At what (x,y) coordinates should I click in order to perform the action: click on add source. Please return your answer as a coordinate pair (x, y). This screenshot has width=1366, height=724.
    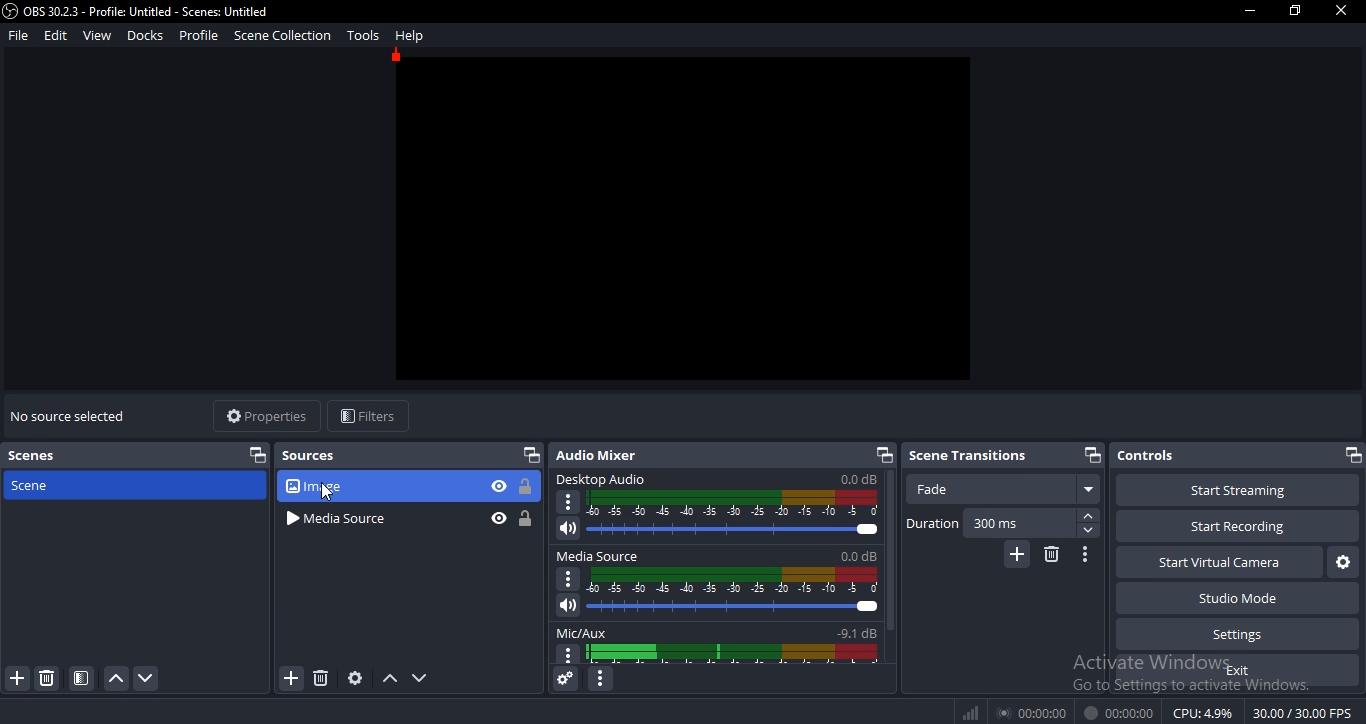
    Looking at the image, I should click on (292, 677).